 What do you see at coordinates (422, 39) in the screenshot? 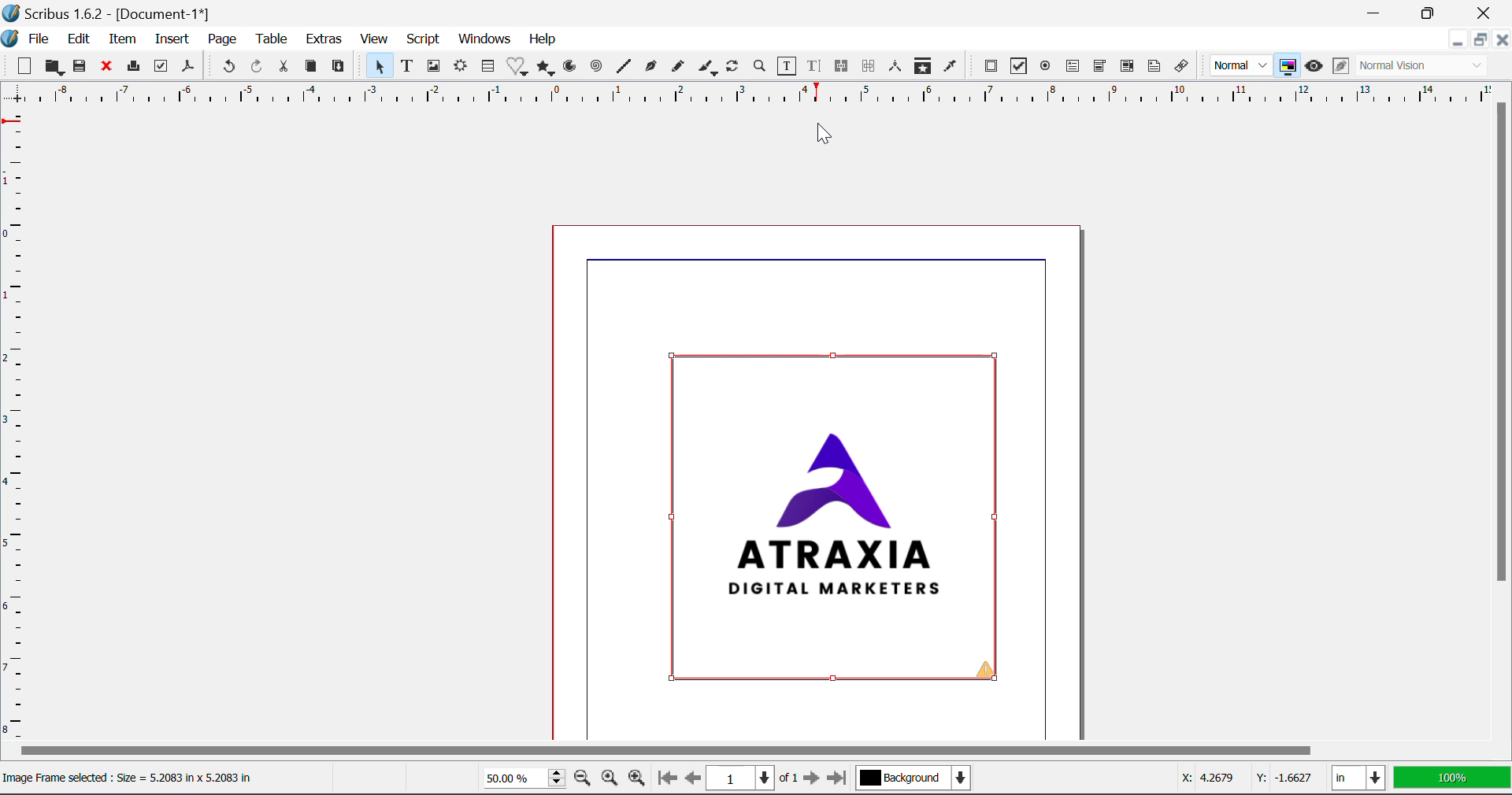
I see `Script` at bounding box center [422, 39].